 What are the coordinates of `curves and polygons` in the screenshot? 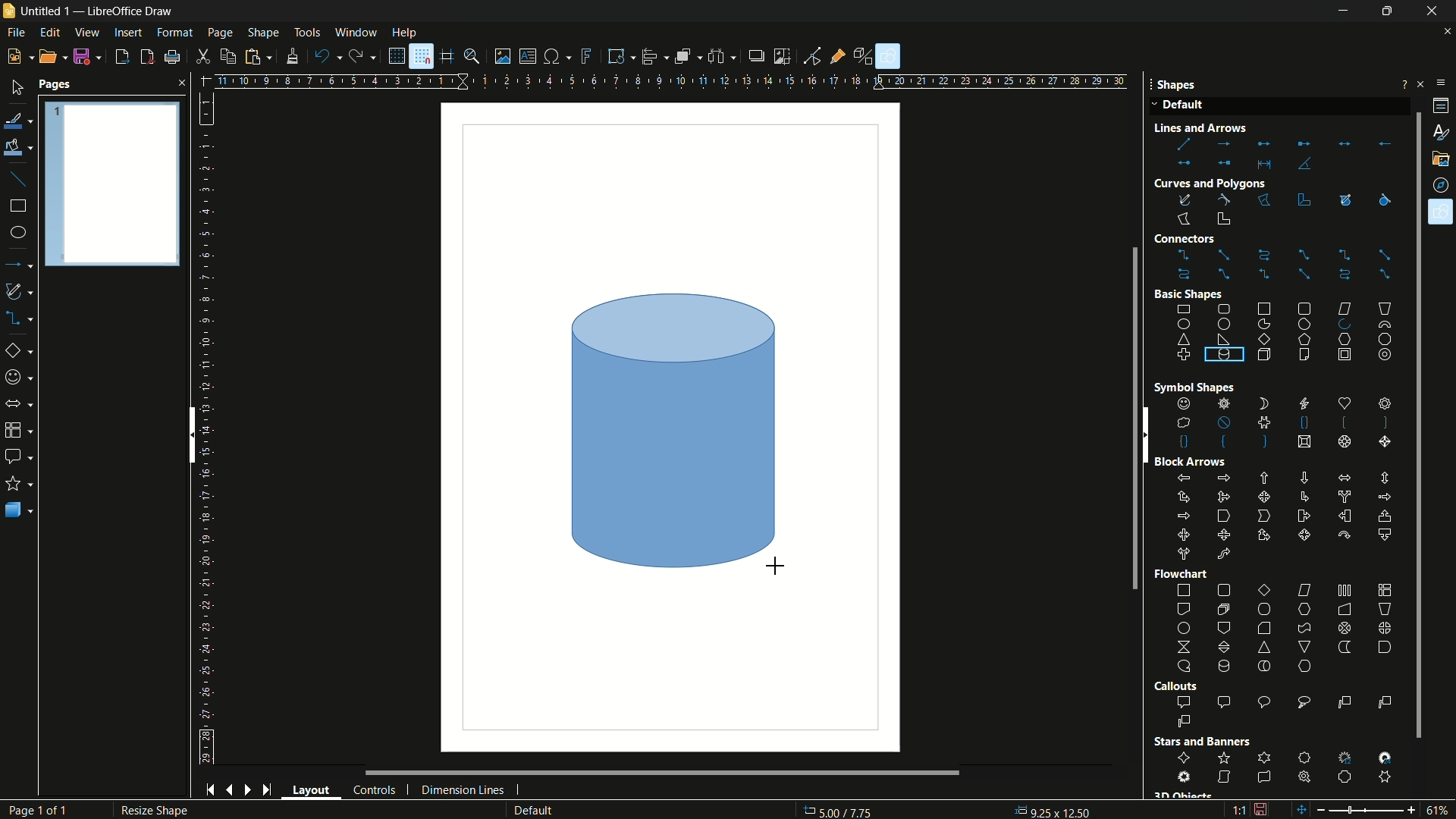 It's located at (21, 292).